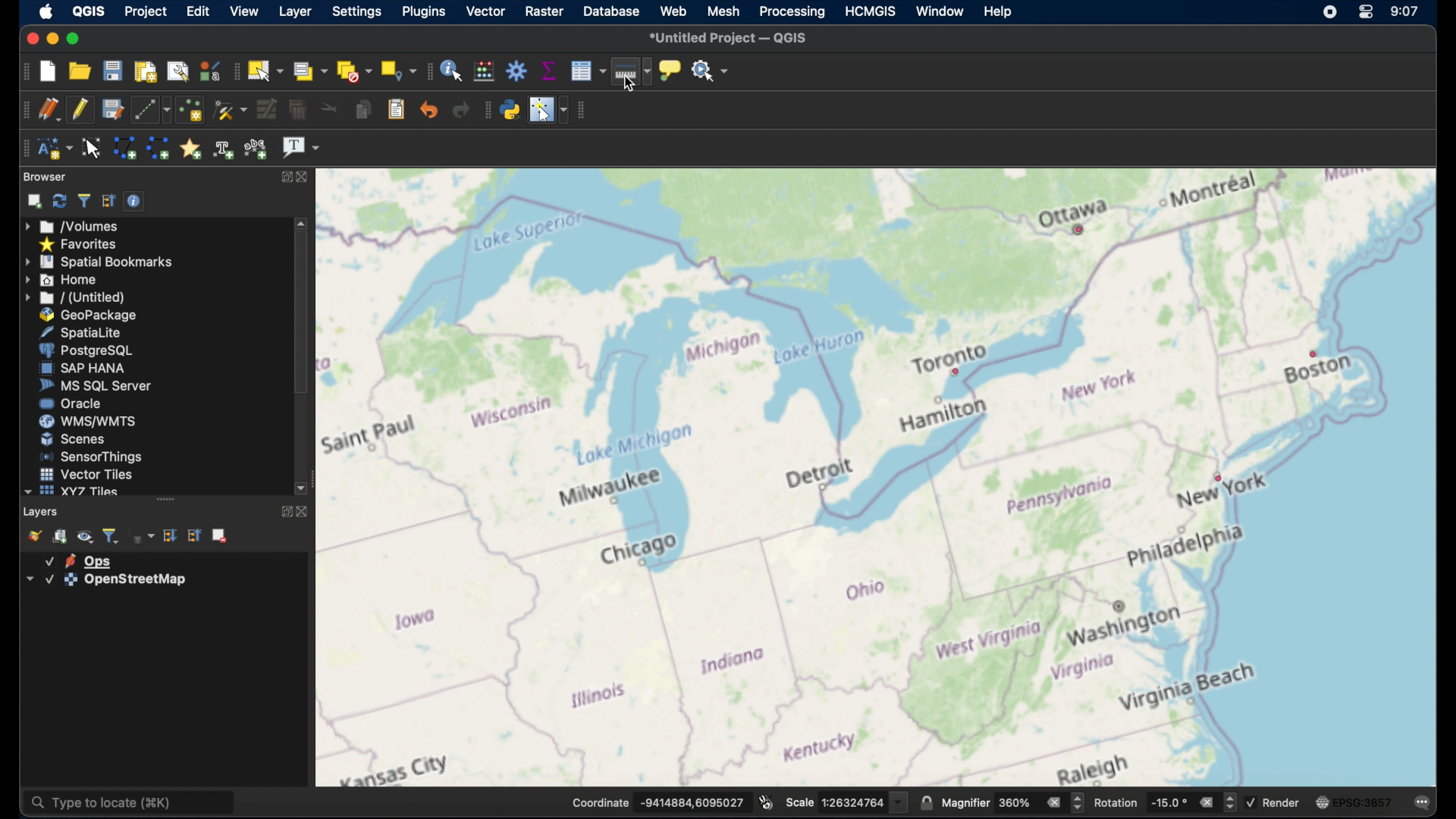 The image size is (1456, 819). I want to click on sap hana, so click(83, 369).